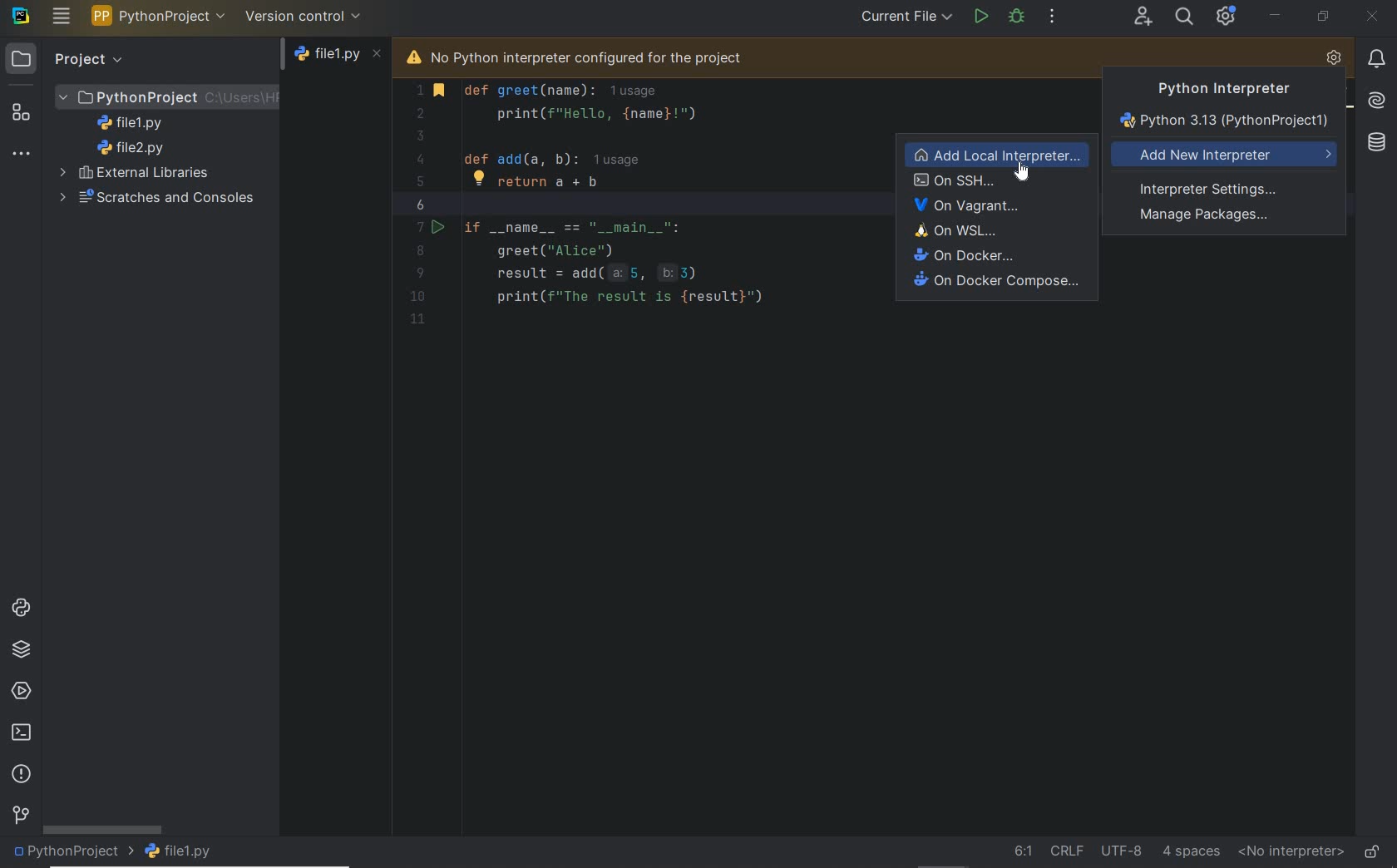 Image resolution: width=1397 pixels, height=868 pixels. What do you see at coordinates (68, 58) in the screenshot?
I see `Project` at bounding box center [68, 58].